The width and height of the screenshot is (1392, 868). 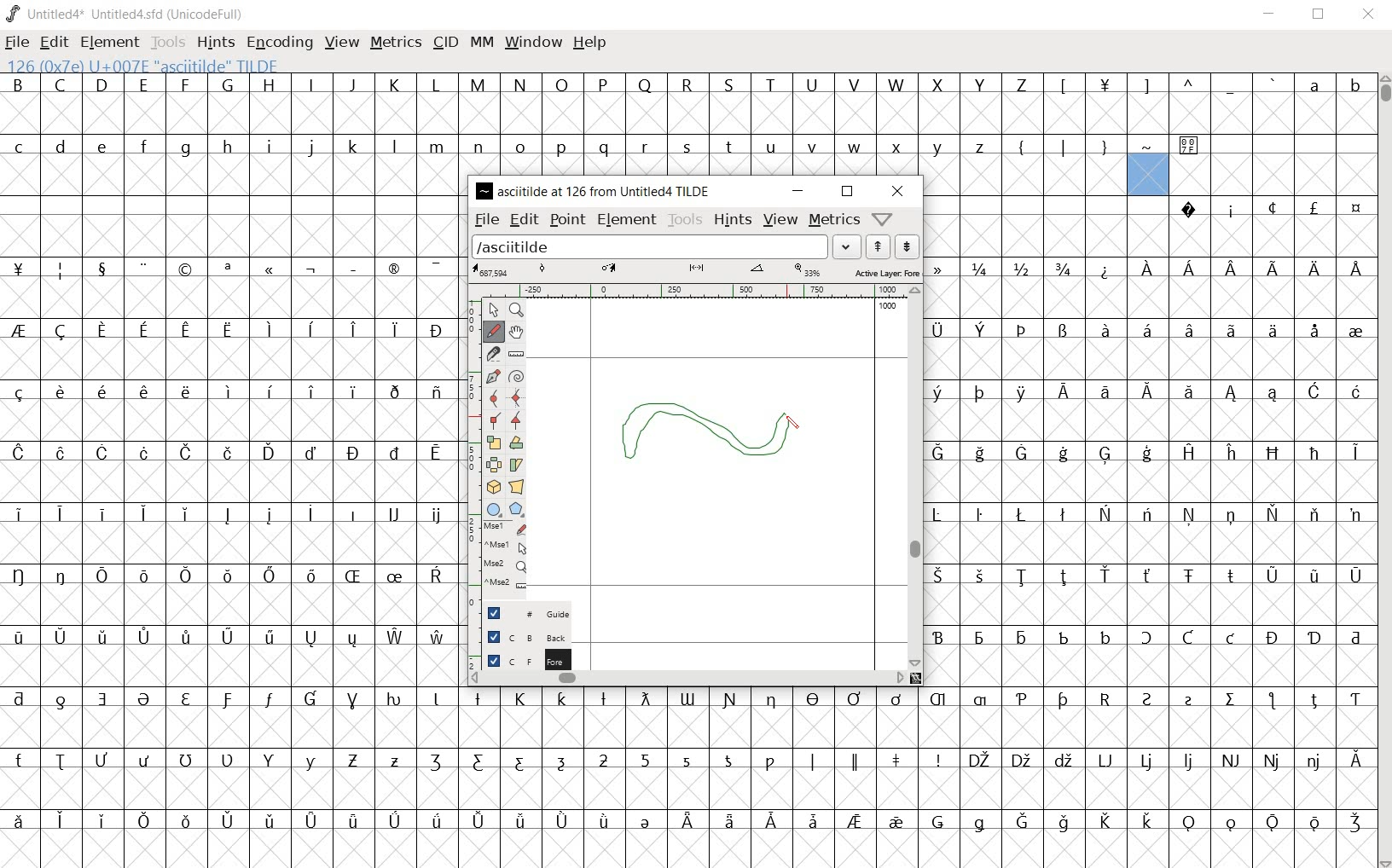 What do you see at coordinates (919, 104) in the screenshot?
I see `glyph characters` at bounding box center [919, 104].